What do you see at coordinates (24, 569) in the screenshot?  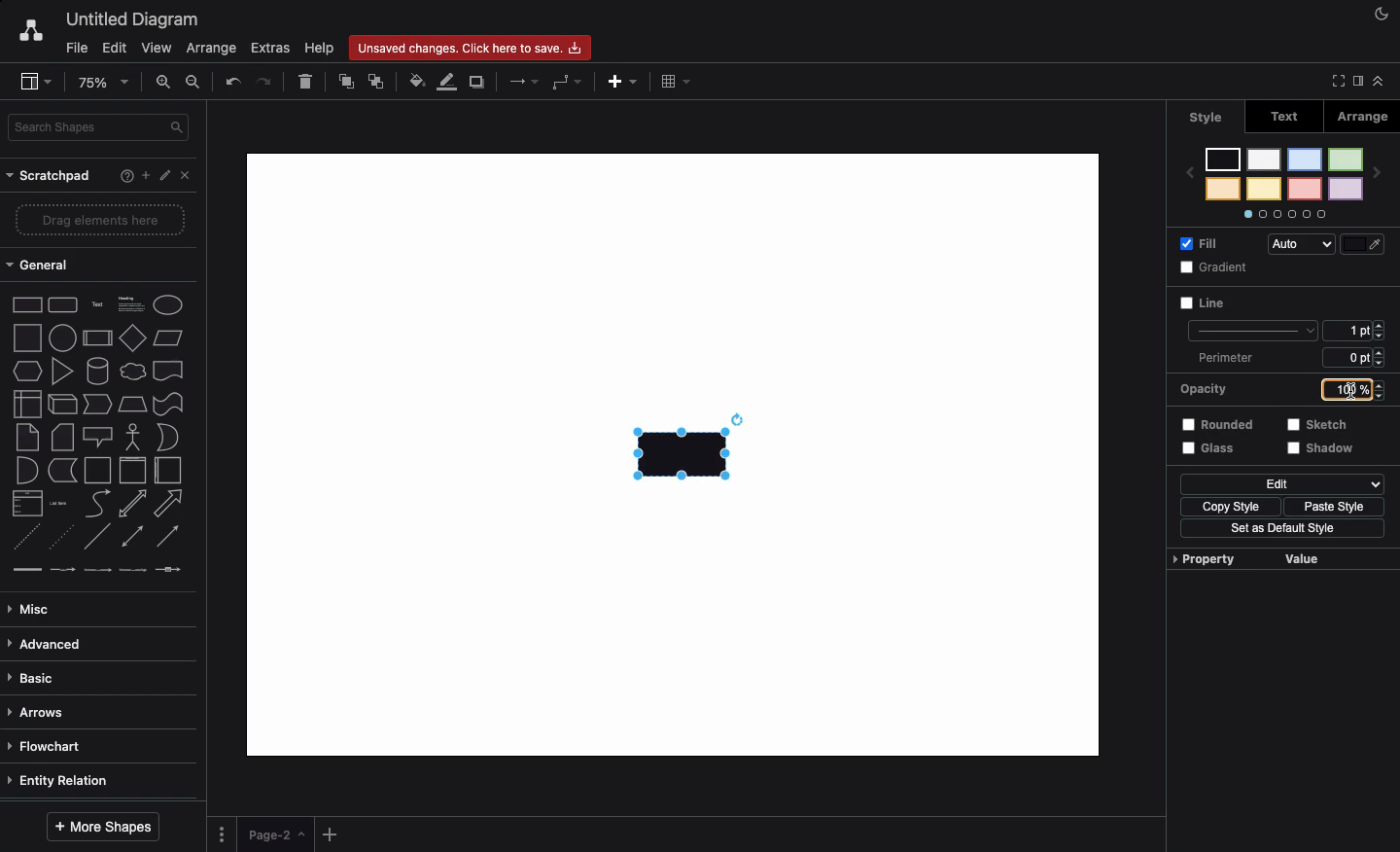 I see `link` at bounding box center [24, 569].